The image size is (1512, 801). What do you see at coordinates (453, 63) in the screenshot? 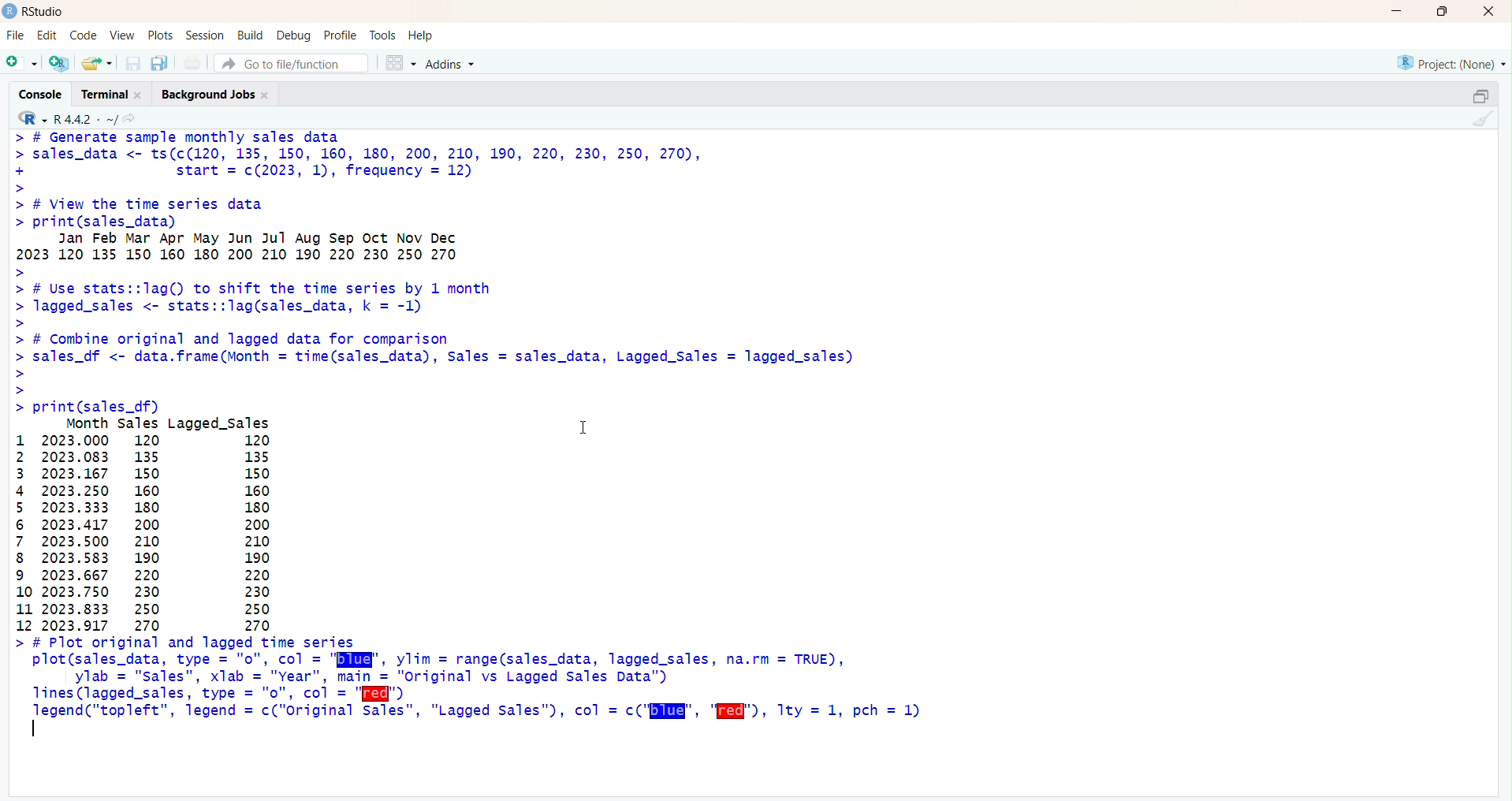
I see `addins` at bounding box center [453, 63].